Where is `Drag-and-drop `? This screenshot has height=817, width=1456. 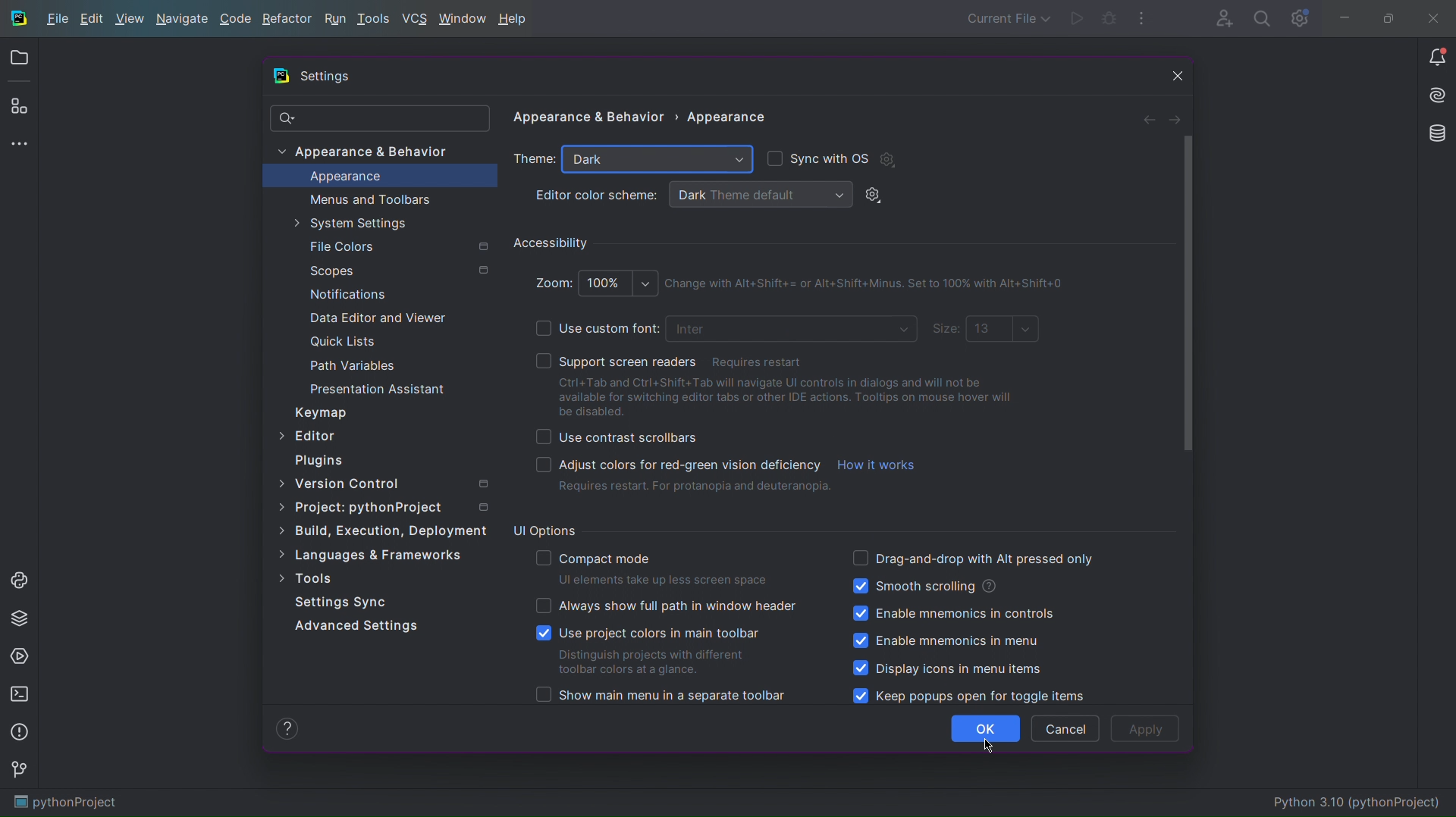
Drag-and-drop  is located at coordinates (972, 557).